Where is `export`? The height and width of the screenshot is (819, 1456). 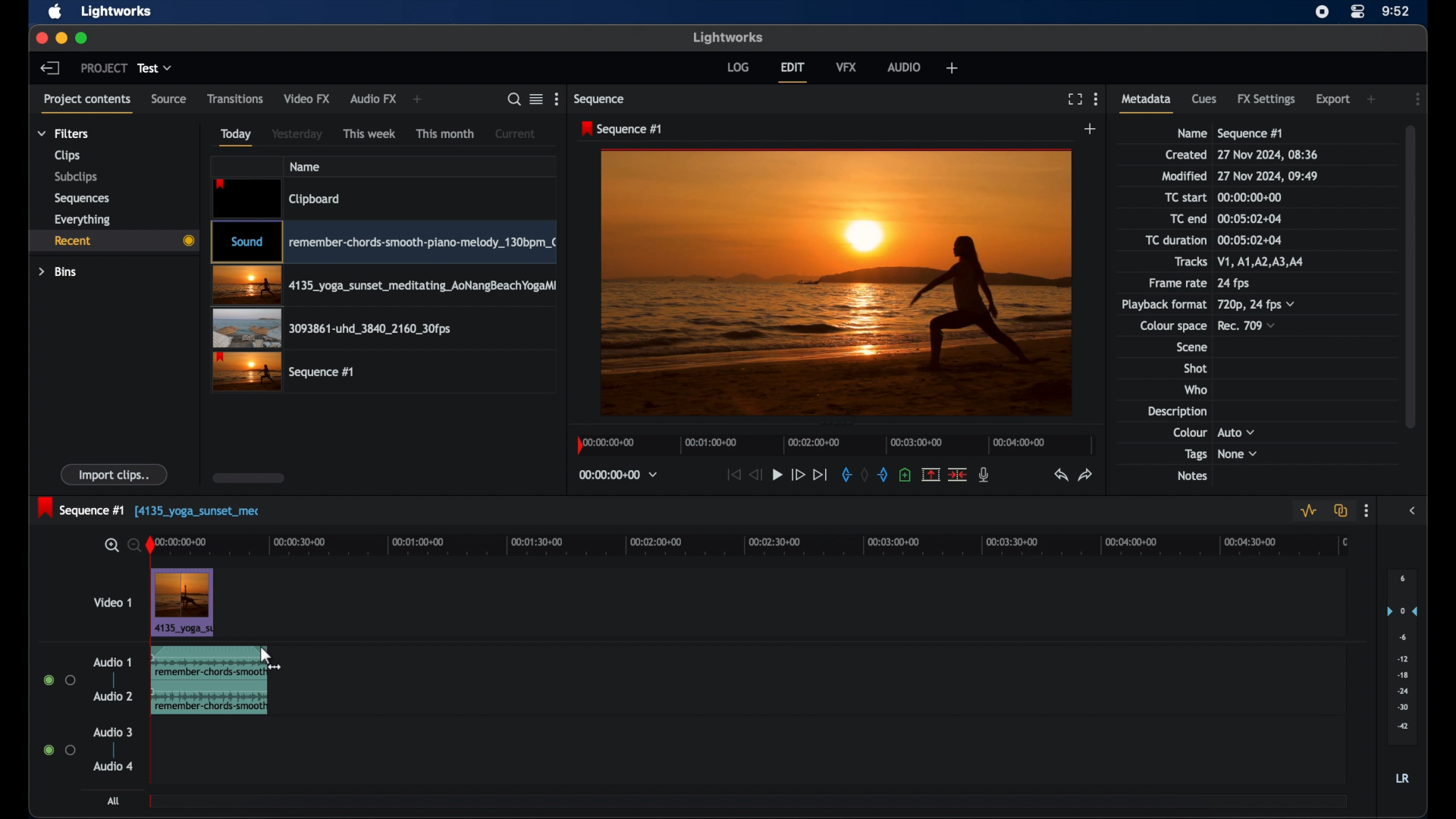
export is located at coordinates (1332, 99).